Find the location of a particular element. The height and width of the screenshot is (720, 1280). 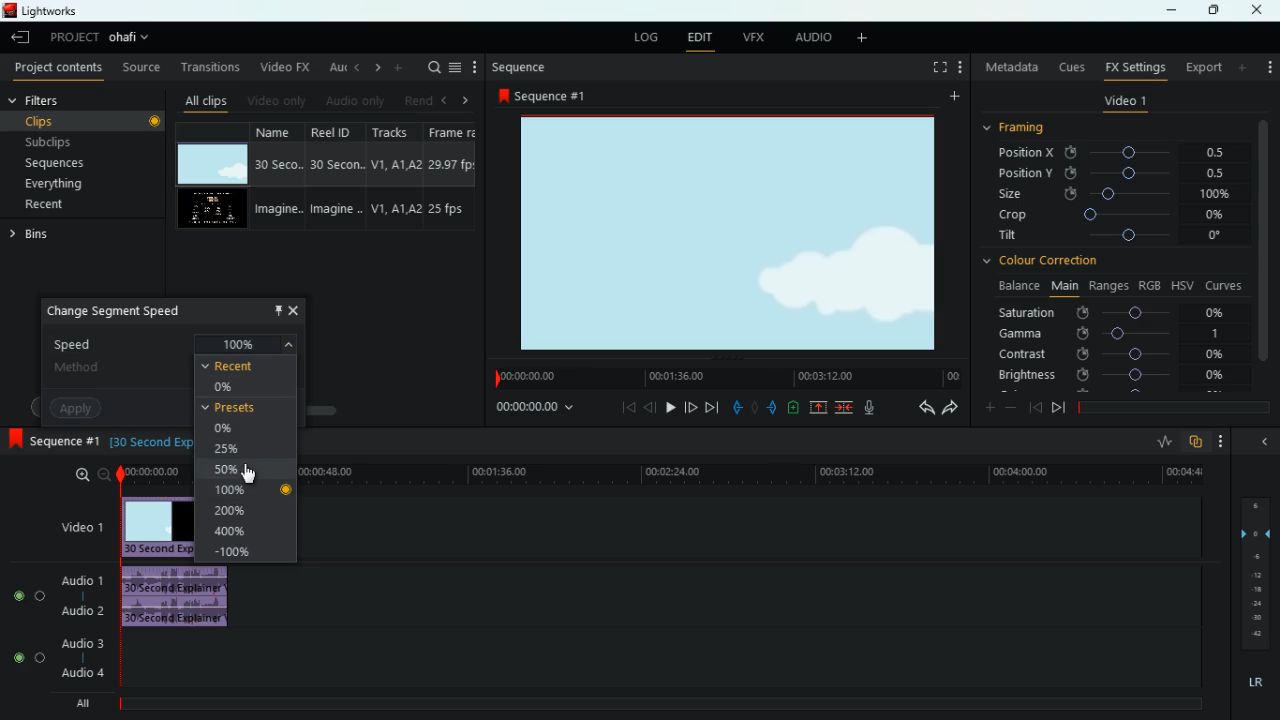

time is located at coordinates (146, 443).